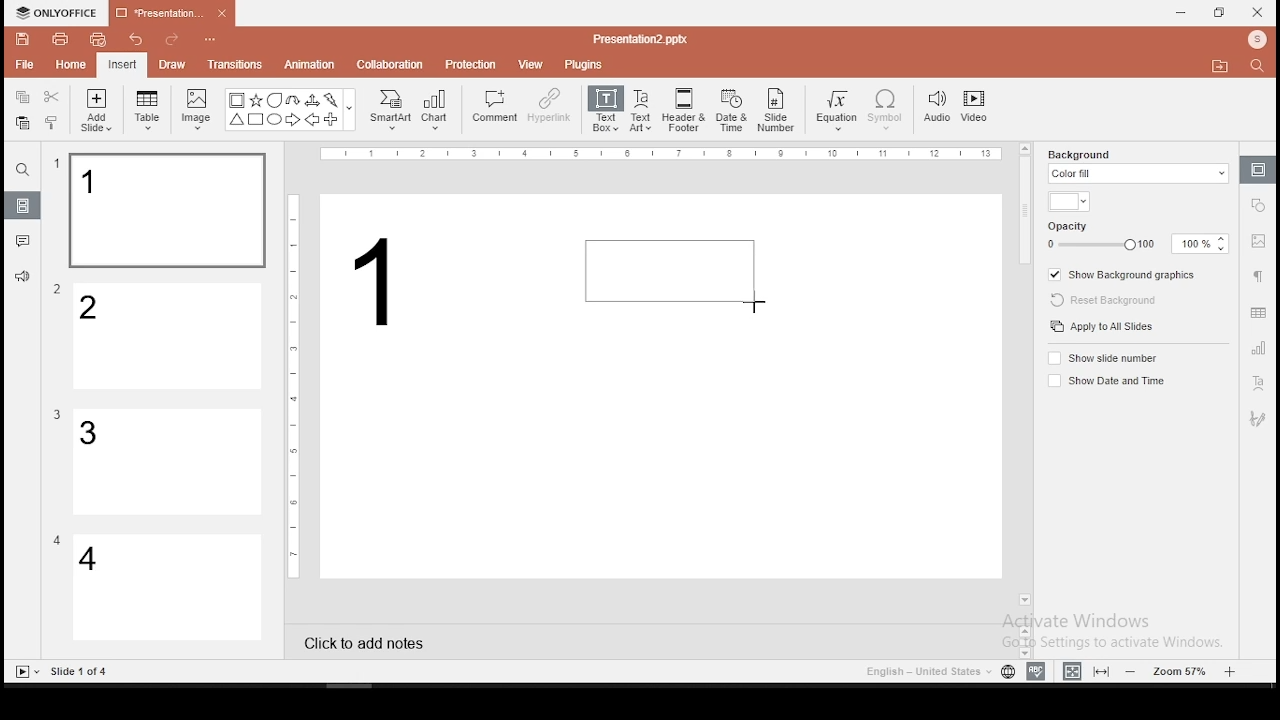  What do you see at coordinates (585, 61) in the screenshot?
I see `plugins` at bounding box center [585, 61].